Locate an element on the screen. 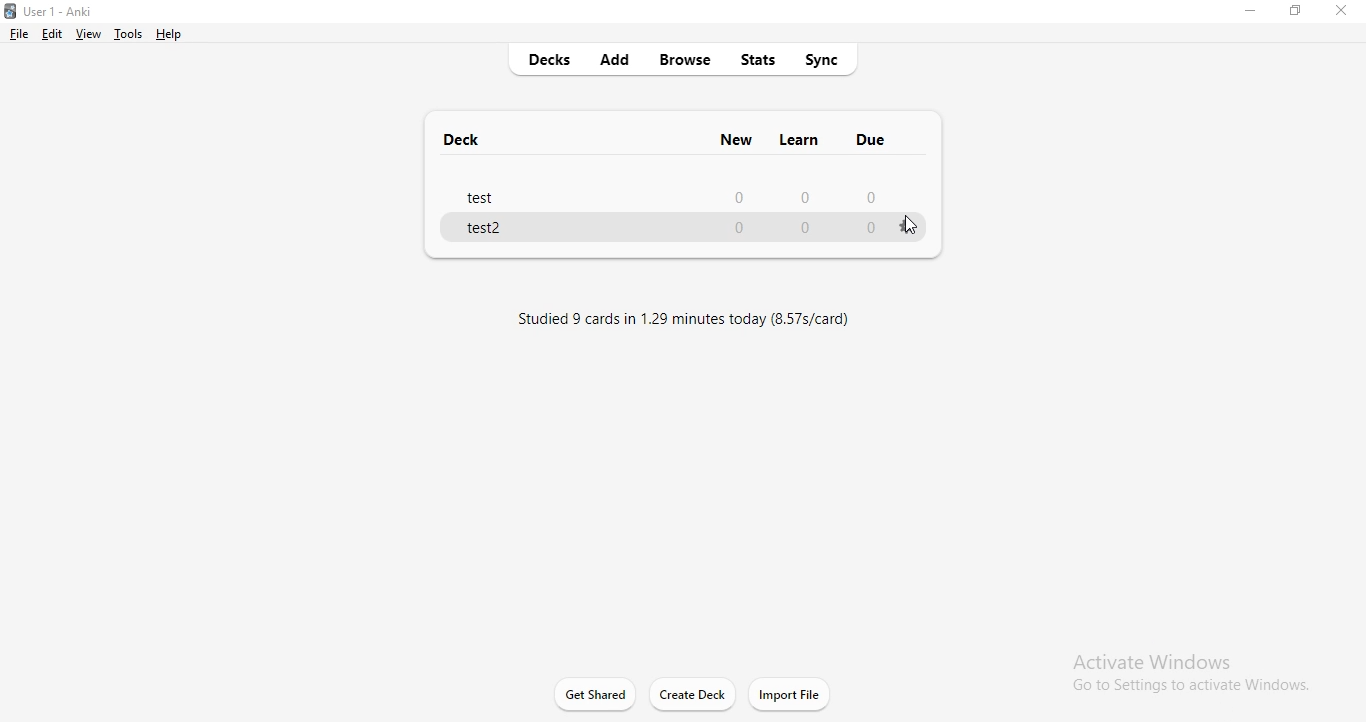  deck is located at coordinates (463, 135).